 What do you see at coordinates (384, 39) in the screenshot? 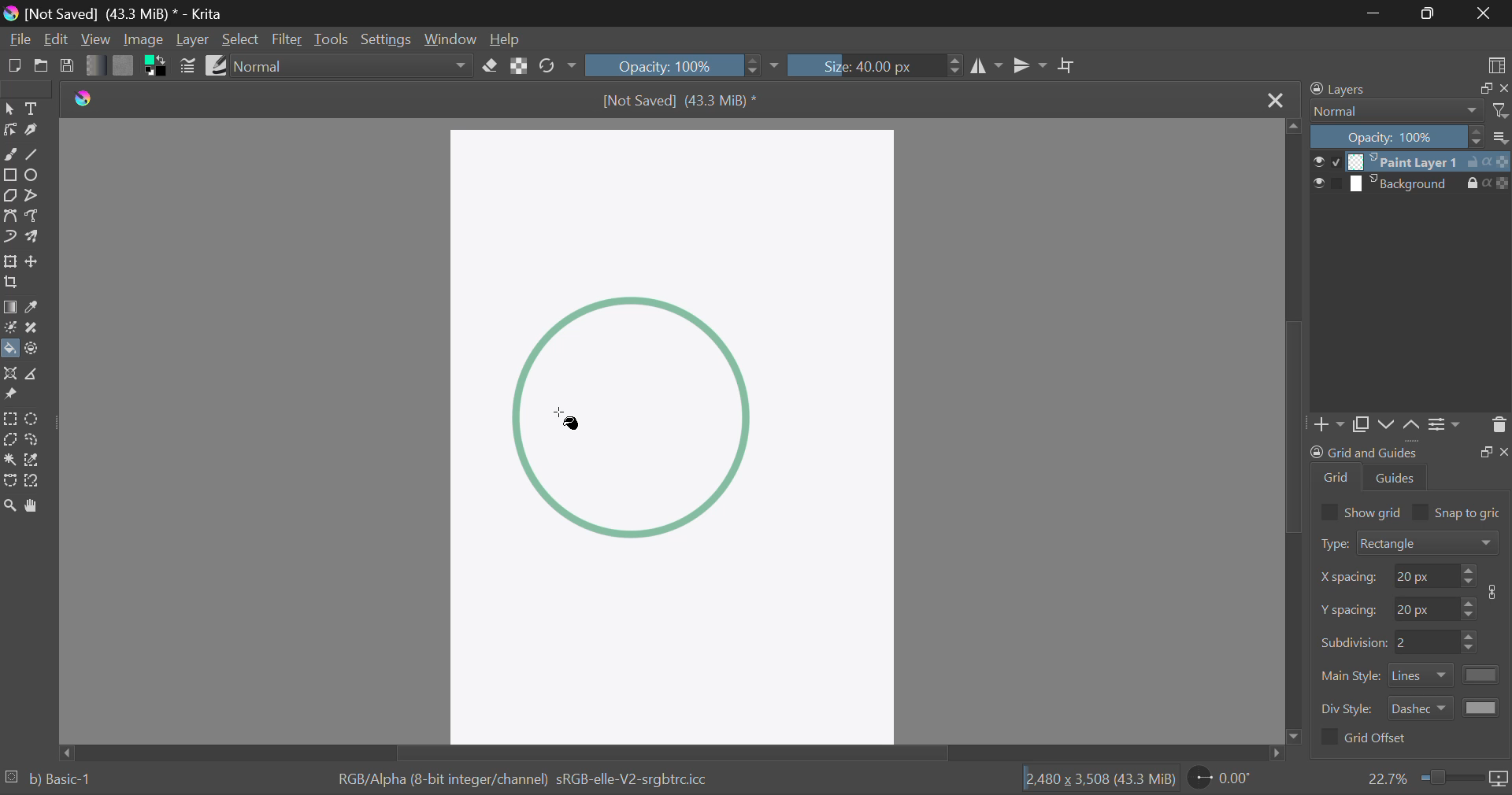
I see `Settings` at bounding box center [384, 39].